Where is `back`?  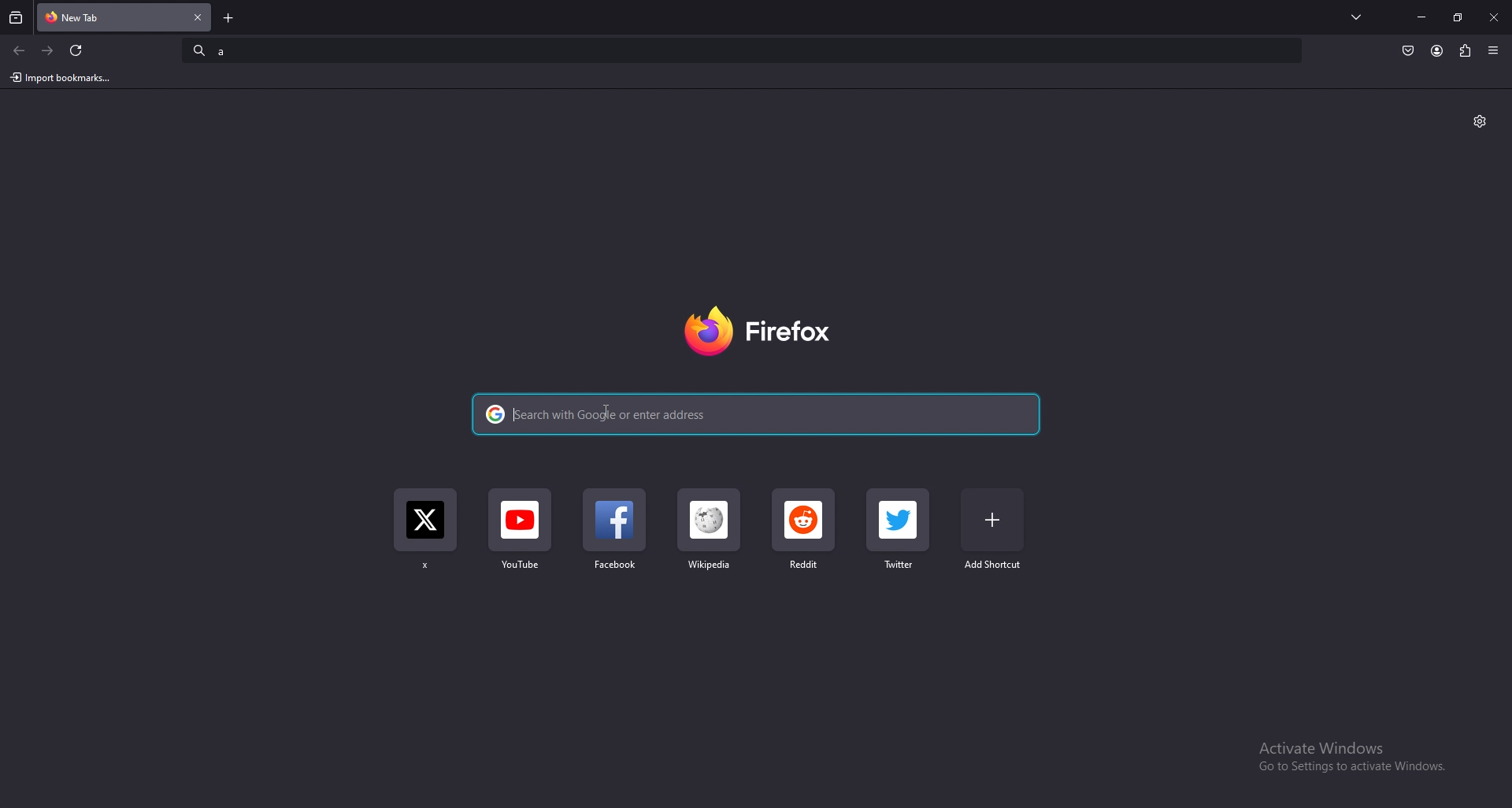 back is located at coordinates (19, 51).